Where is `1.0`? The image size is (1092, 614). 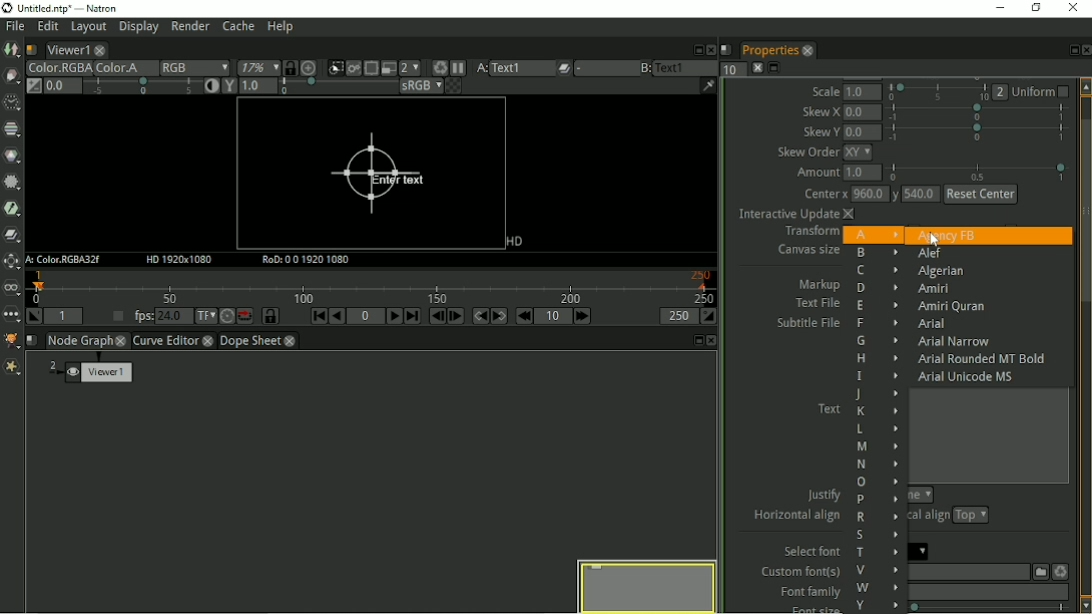 1.0 is located at coordinates (863, 174).